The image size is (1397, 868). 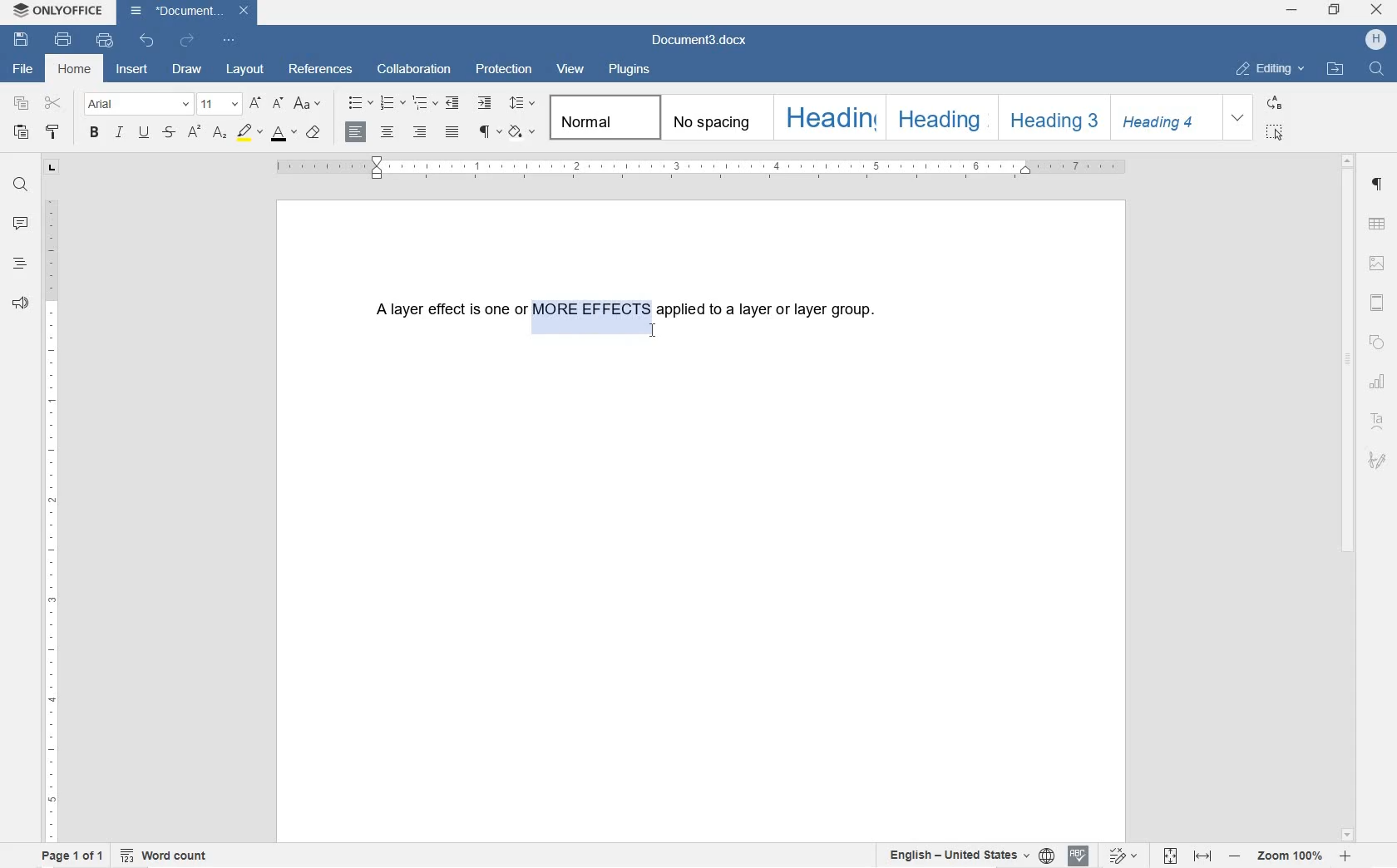 What do you see at coordinates (1241, 118) in the screenshot?
I see `EXPAND FORMATTING STYLE` at bounding box center [1241, 118].